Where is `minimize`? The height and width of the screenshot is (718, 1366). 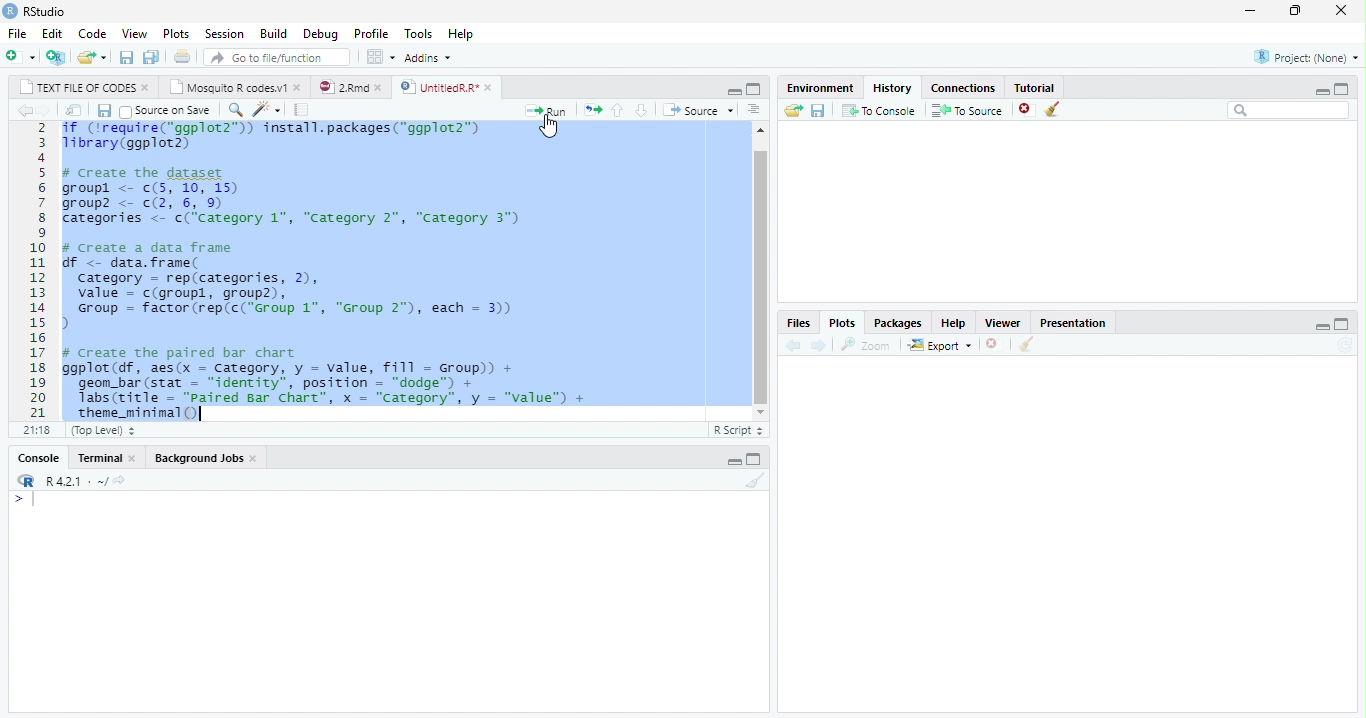
minimize is located at coordinates (1324, 326).